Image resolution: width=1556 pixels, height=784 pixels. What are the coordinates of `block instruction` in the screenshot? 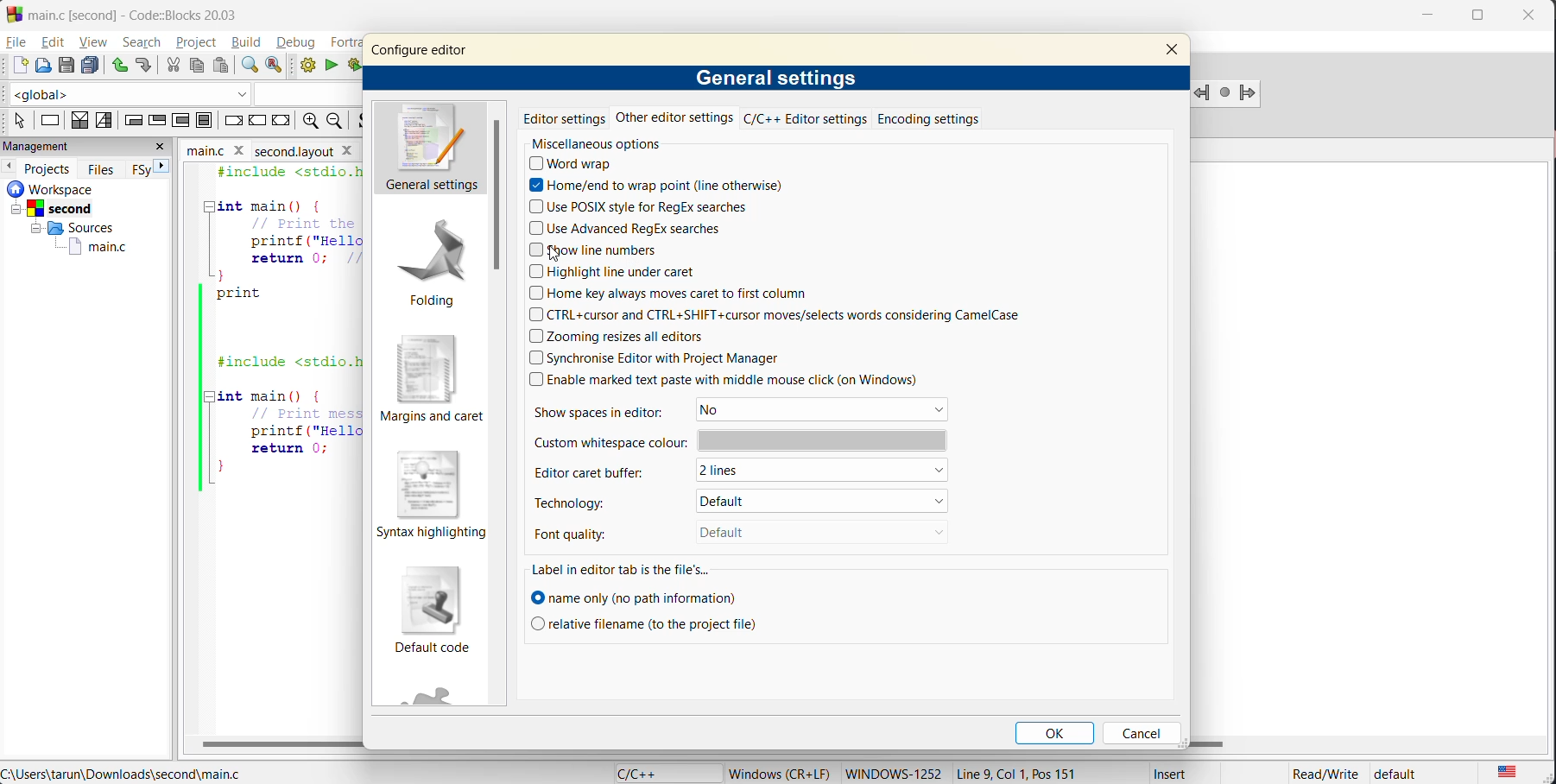 It's located at (206, 121).